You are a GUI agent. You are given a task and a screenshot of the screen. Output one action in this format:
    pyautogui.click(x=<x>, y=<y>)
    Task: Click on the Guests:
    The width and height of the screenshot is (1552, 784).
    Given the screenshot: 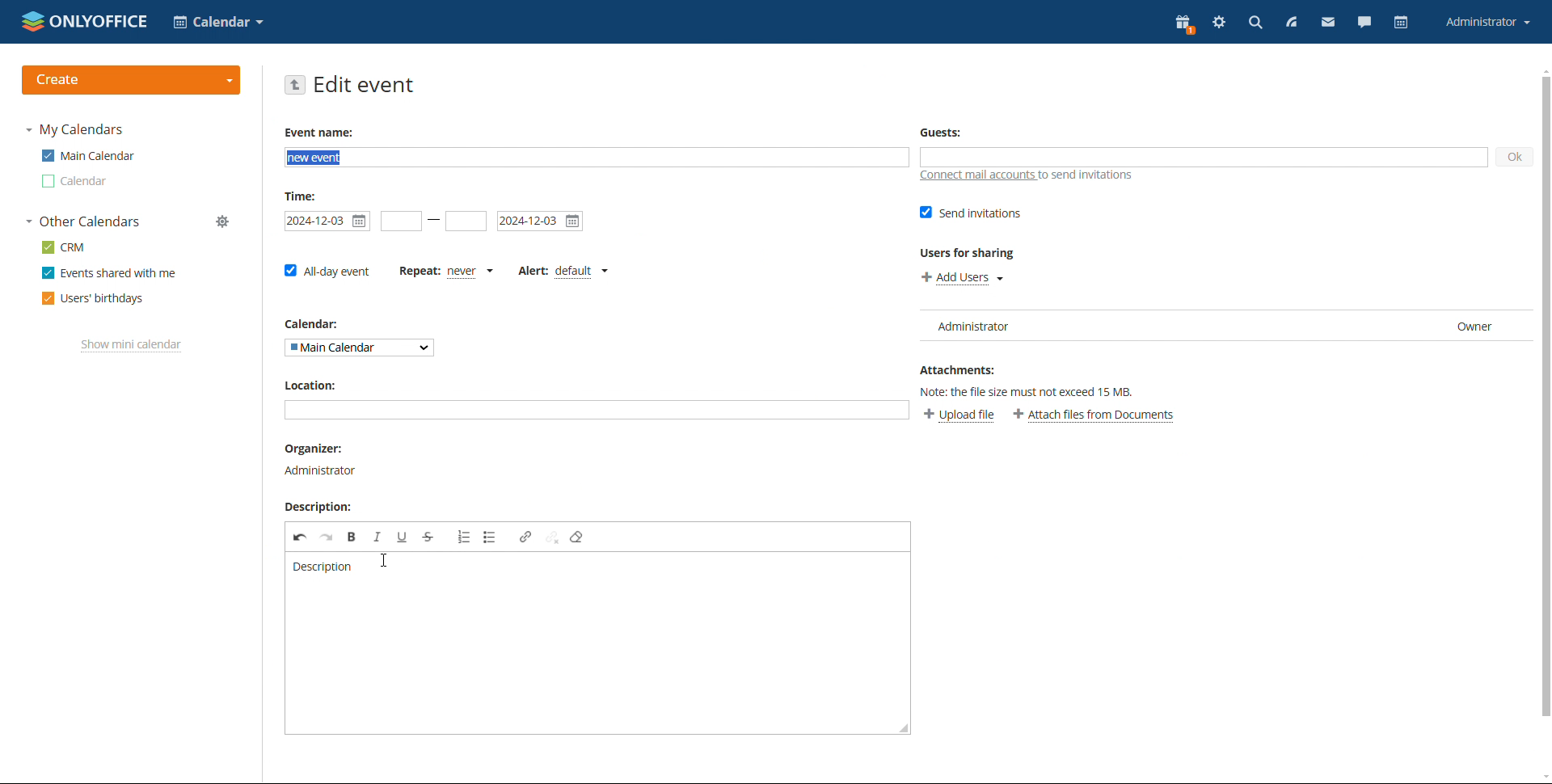 What is the action you would take?
    pyautogui.click(x=943, y=131)
    